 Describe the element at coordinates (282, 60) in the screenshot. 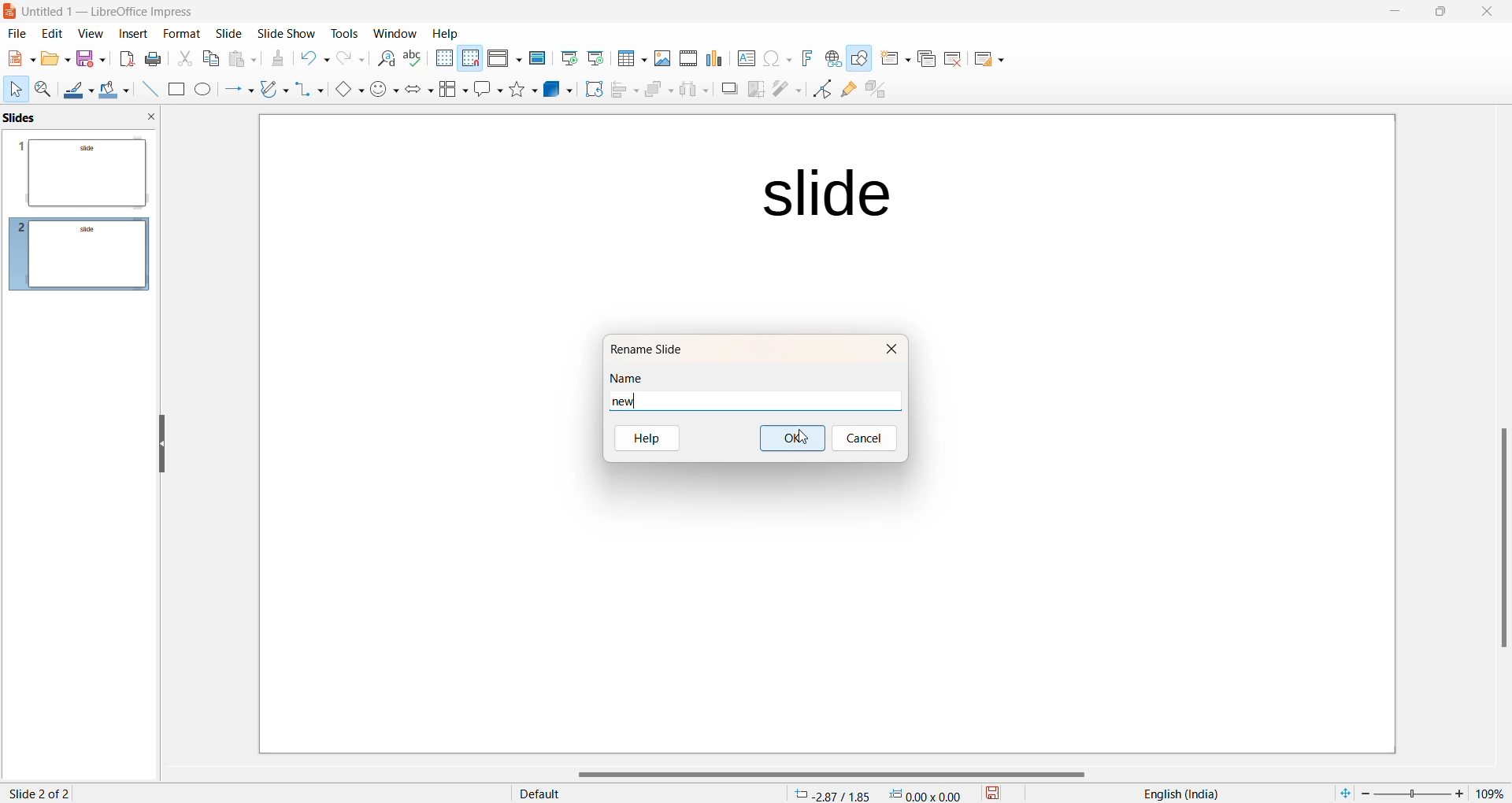

I see `Clone formatting` at that location.